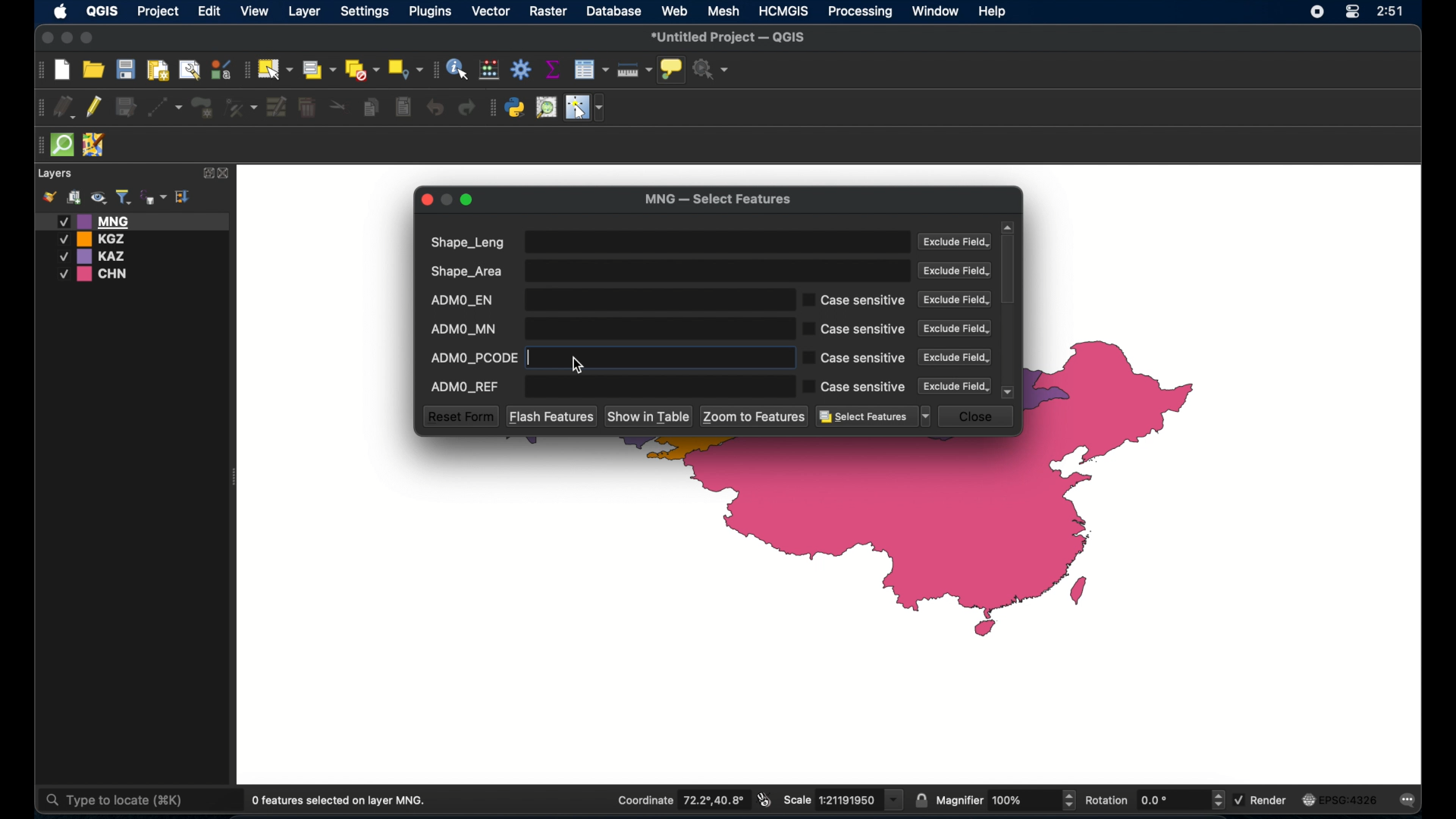 This screenshot has width=1456, height=819. Describe the element at coordinates (492, 11) in the screenshot. I see `vector` at that location.